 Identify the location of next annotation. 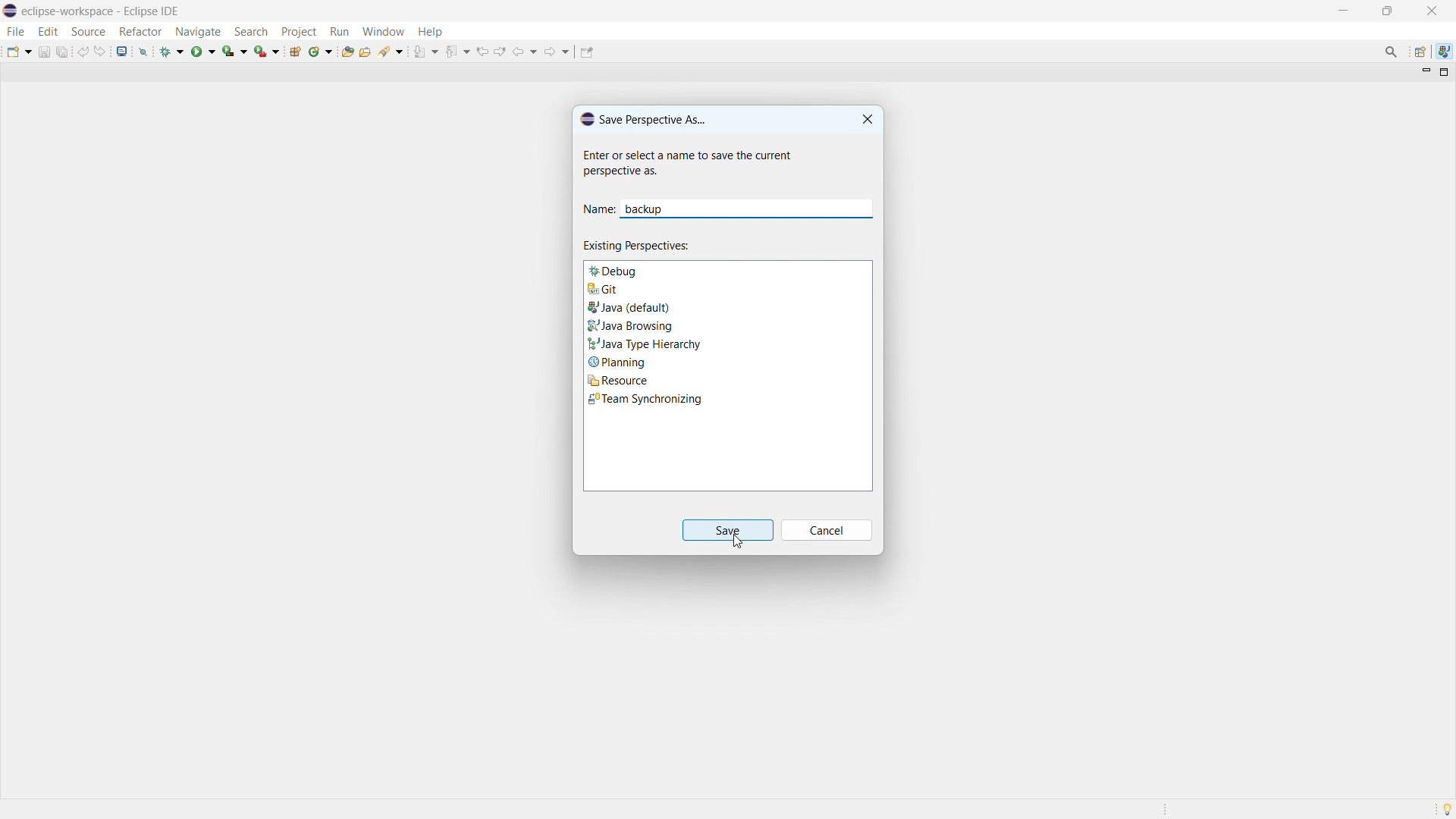
(425, 52).